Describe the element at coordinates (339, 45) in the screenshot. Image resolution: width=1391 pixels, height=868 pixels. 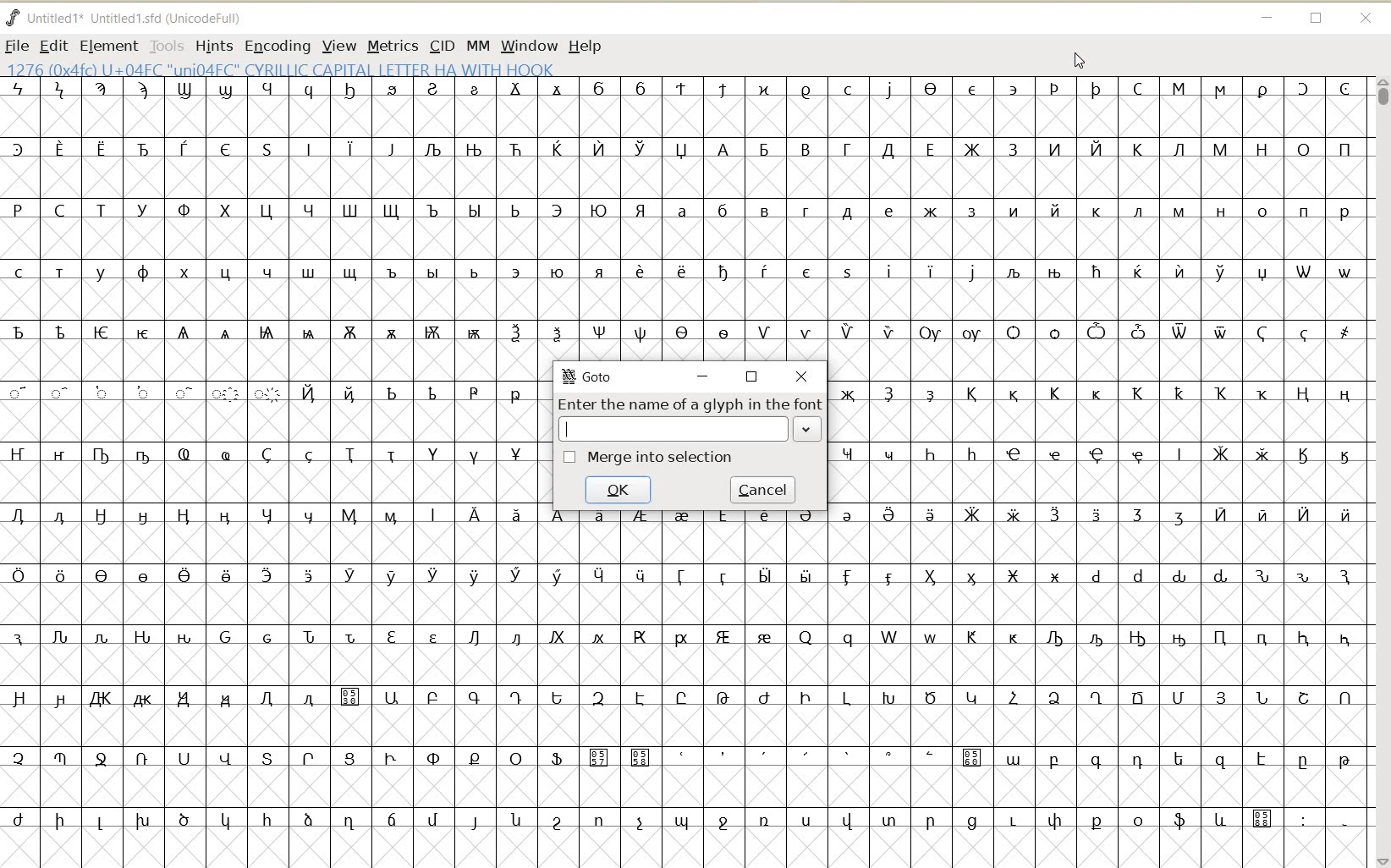
I see `VIEW` at that location.